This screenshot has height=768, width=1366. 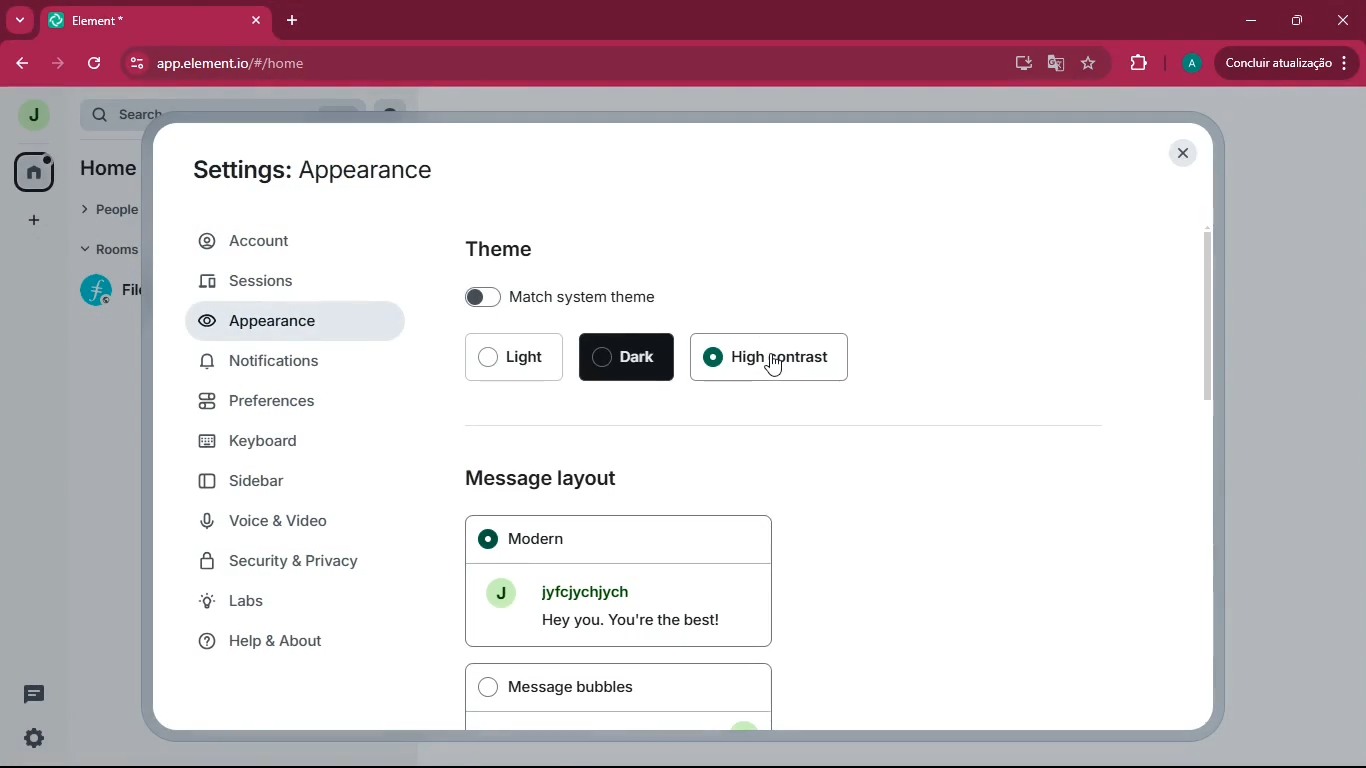 I want to click on Cursor, so click(x=277, y=326).